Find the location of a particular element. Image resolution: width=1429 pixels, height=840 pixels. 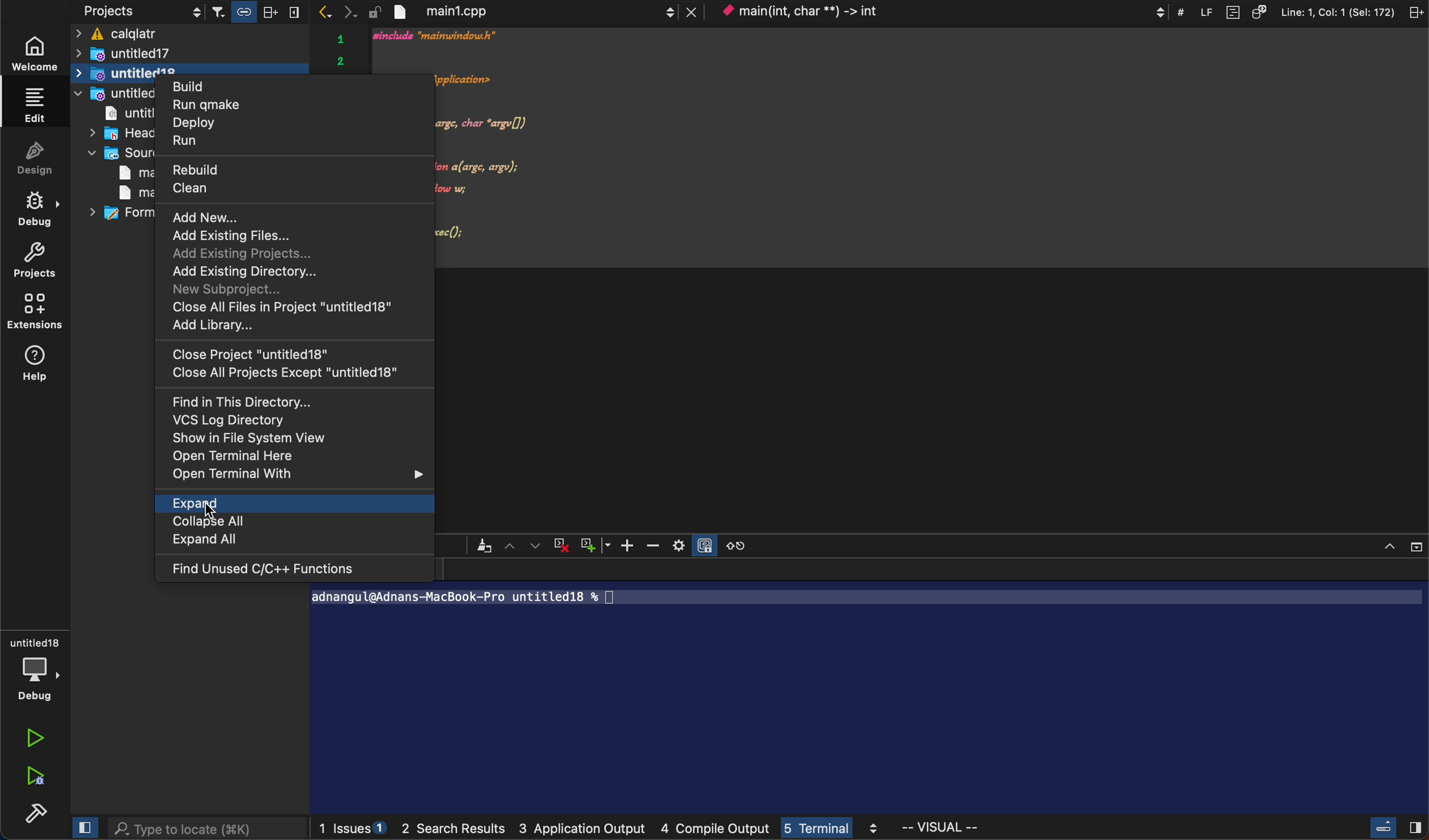

build is located at coordinates (215, 86).